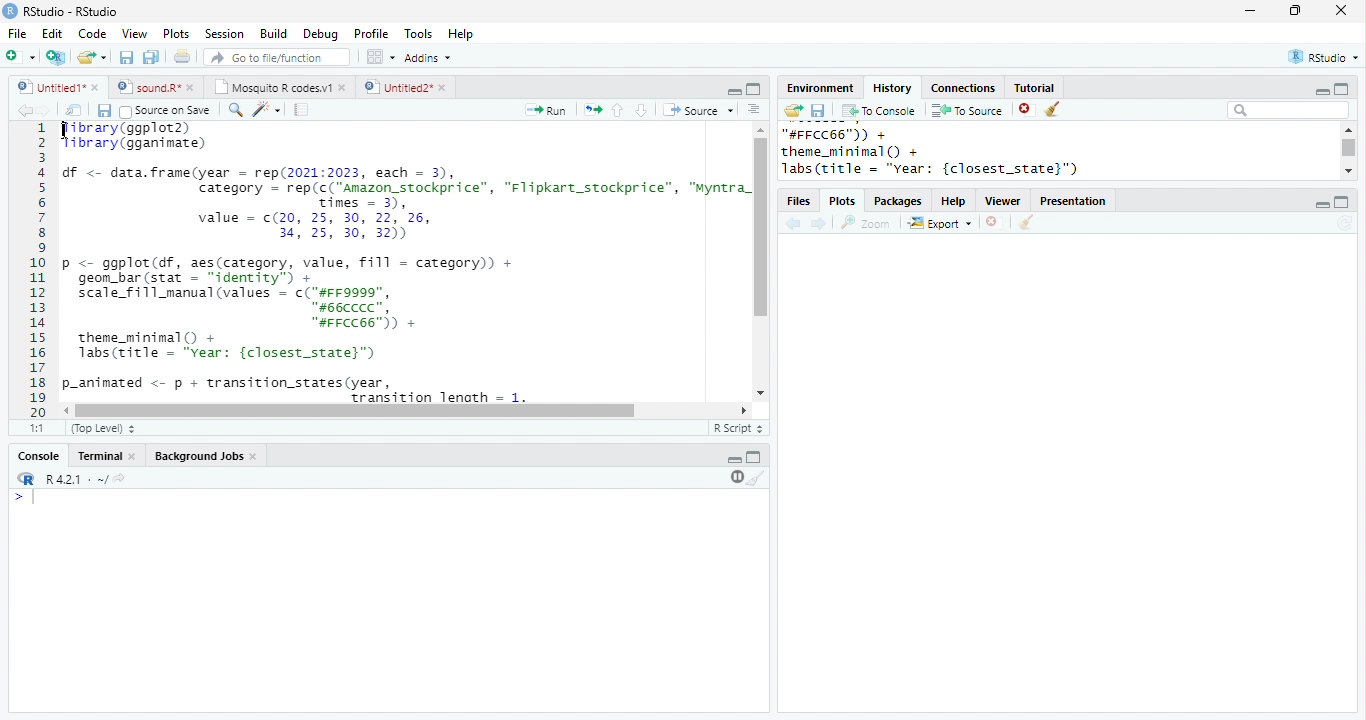 The height and width of the screenshot is (720, 1366). Describe the element at coordinates (235, 347) in the screenshot. I see `theme_minimal() +labs(title = “Year: {closest_state}”)` at that location.